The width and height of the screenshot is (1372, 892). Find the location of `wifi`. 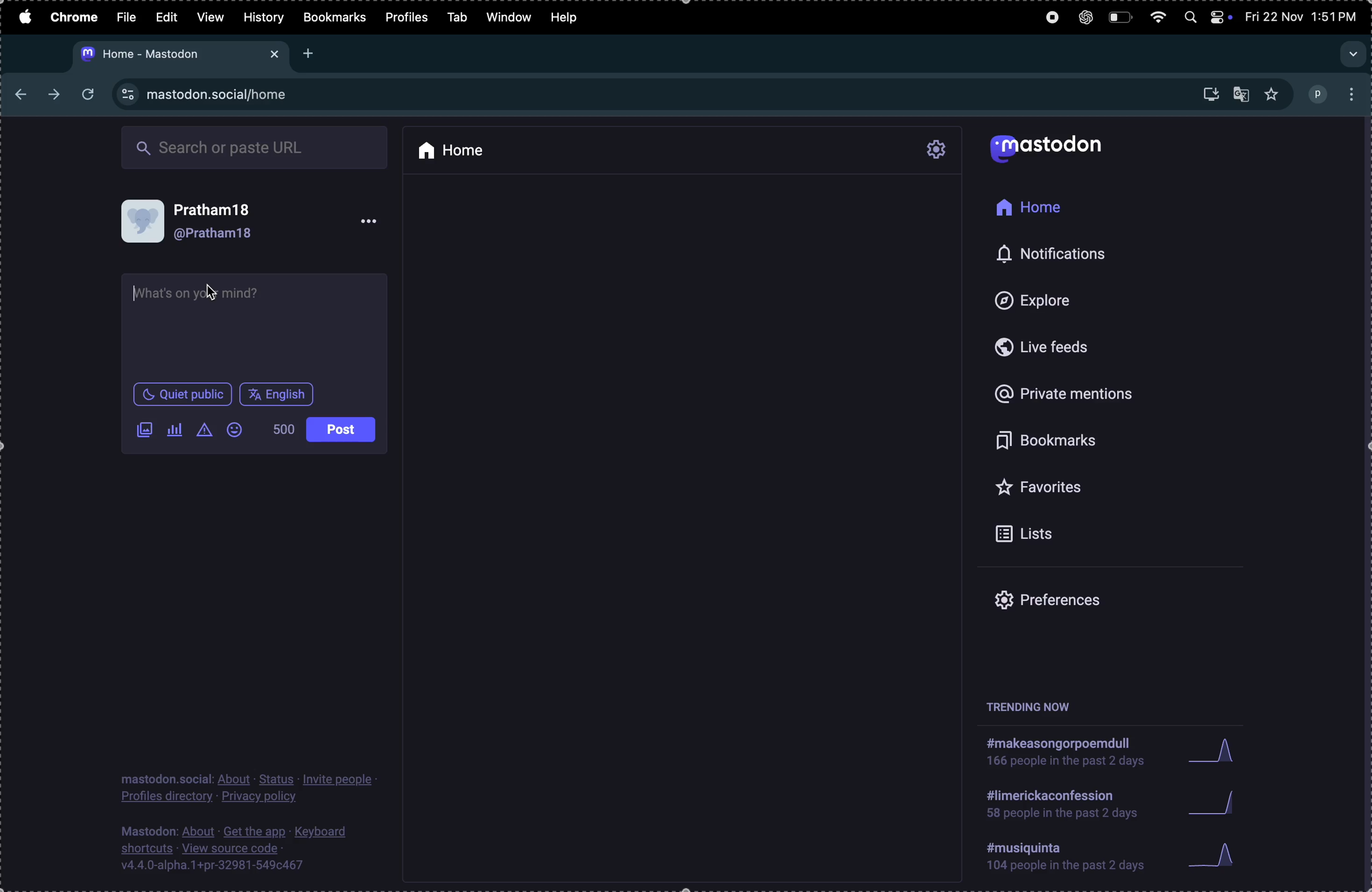

wifi is located at coordinates (1156, 17).